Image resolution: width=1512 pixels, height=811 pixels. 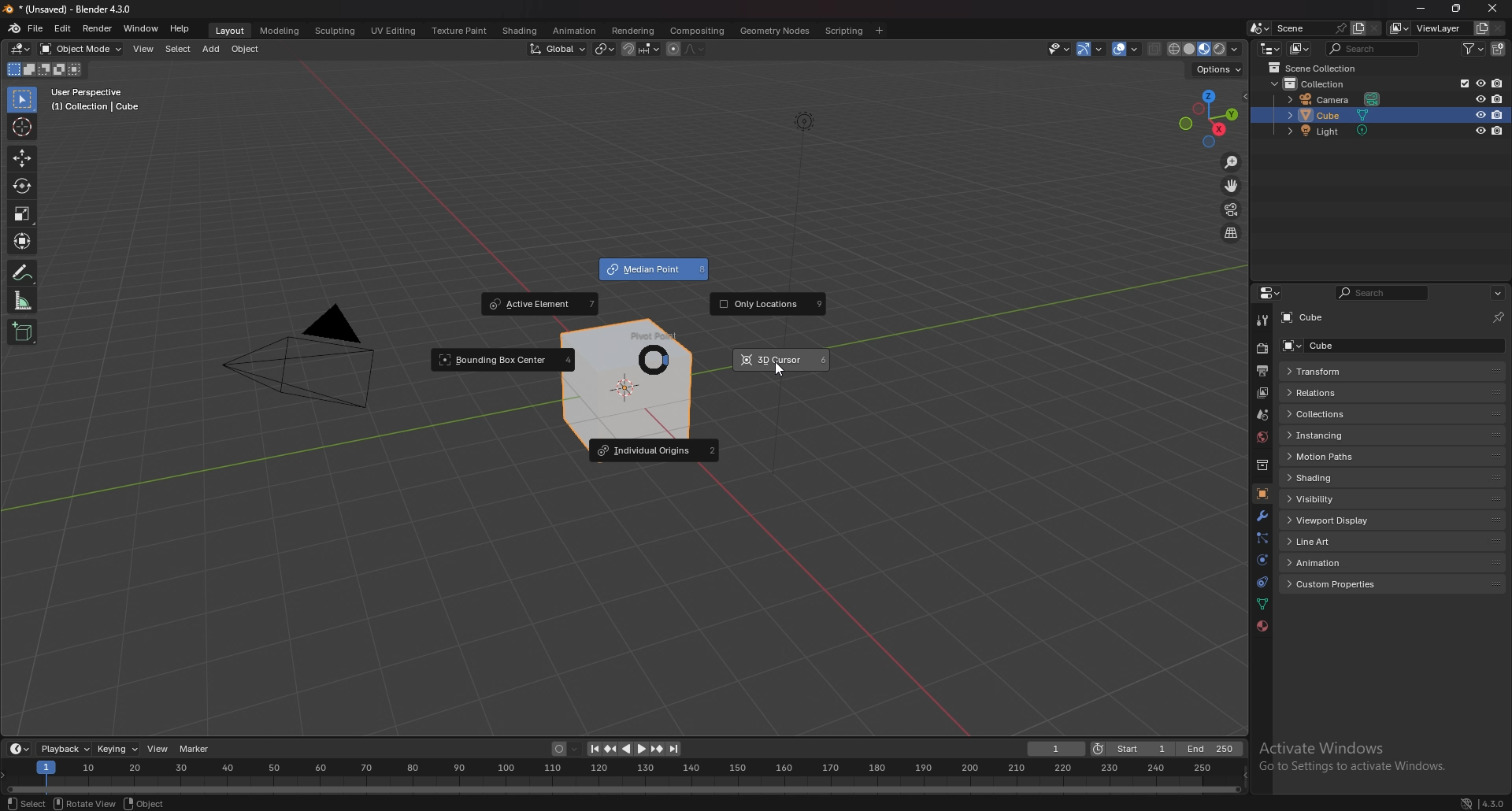 I want to click on file, so click(x=37, y=28).